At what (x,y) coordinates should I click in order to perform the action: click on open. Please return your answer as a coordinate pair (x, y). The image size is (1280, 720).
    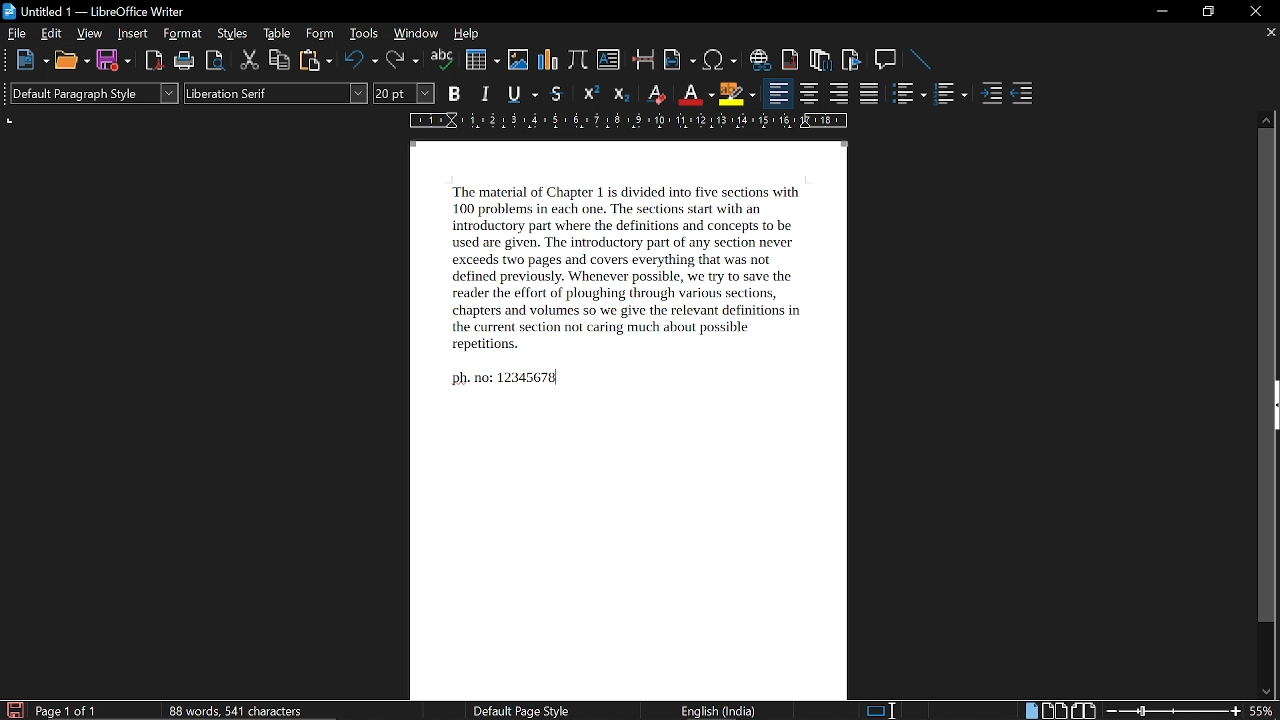
    Looking at the image, I should click on (72, 60).